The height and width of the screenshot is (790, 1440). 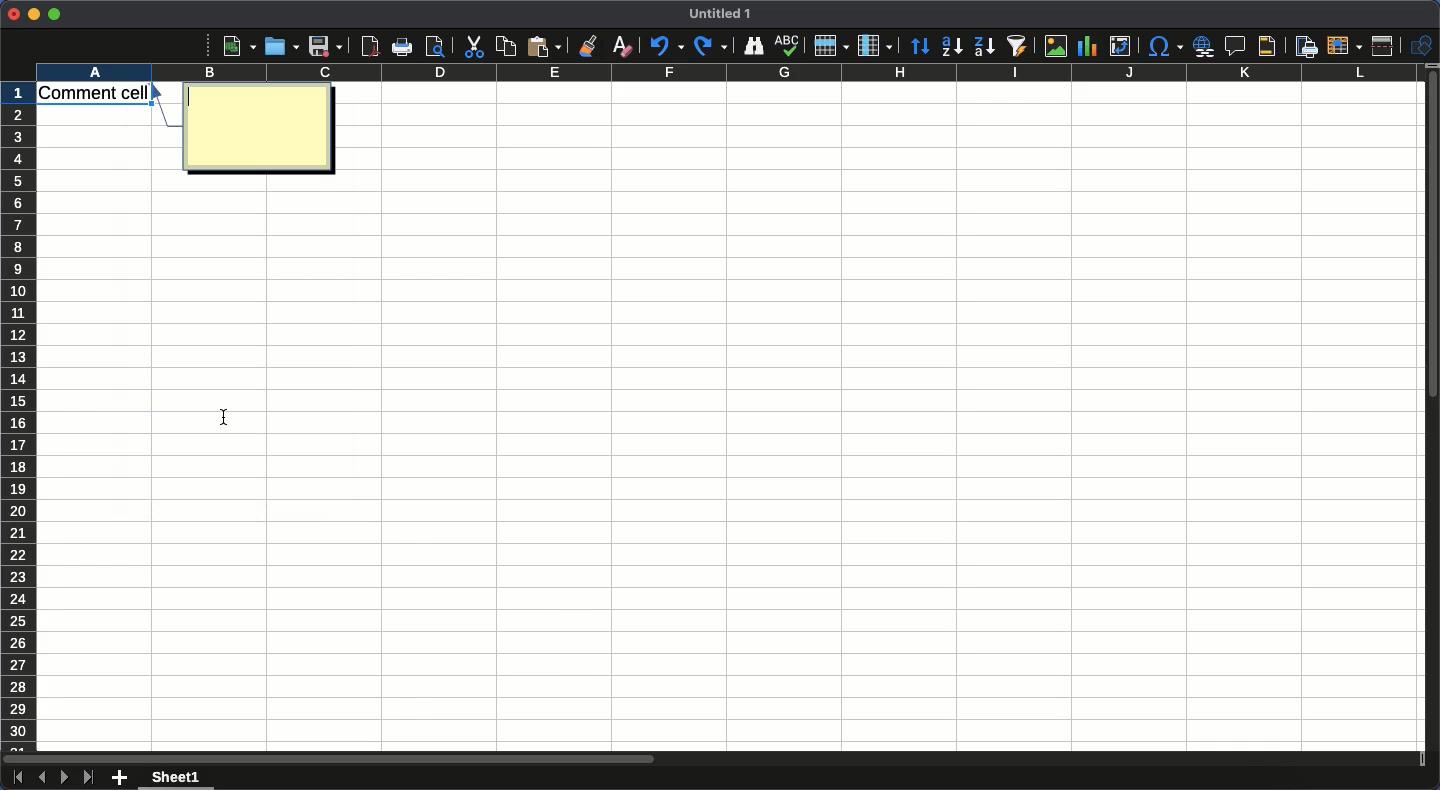 I want to click on More, so click(x=202, y=47).